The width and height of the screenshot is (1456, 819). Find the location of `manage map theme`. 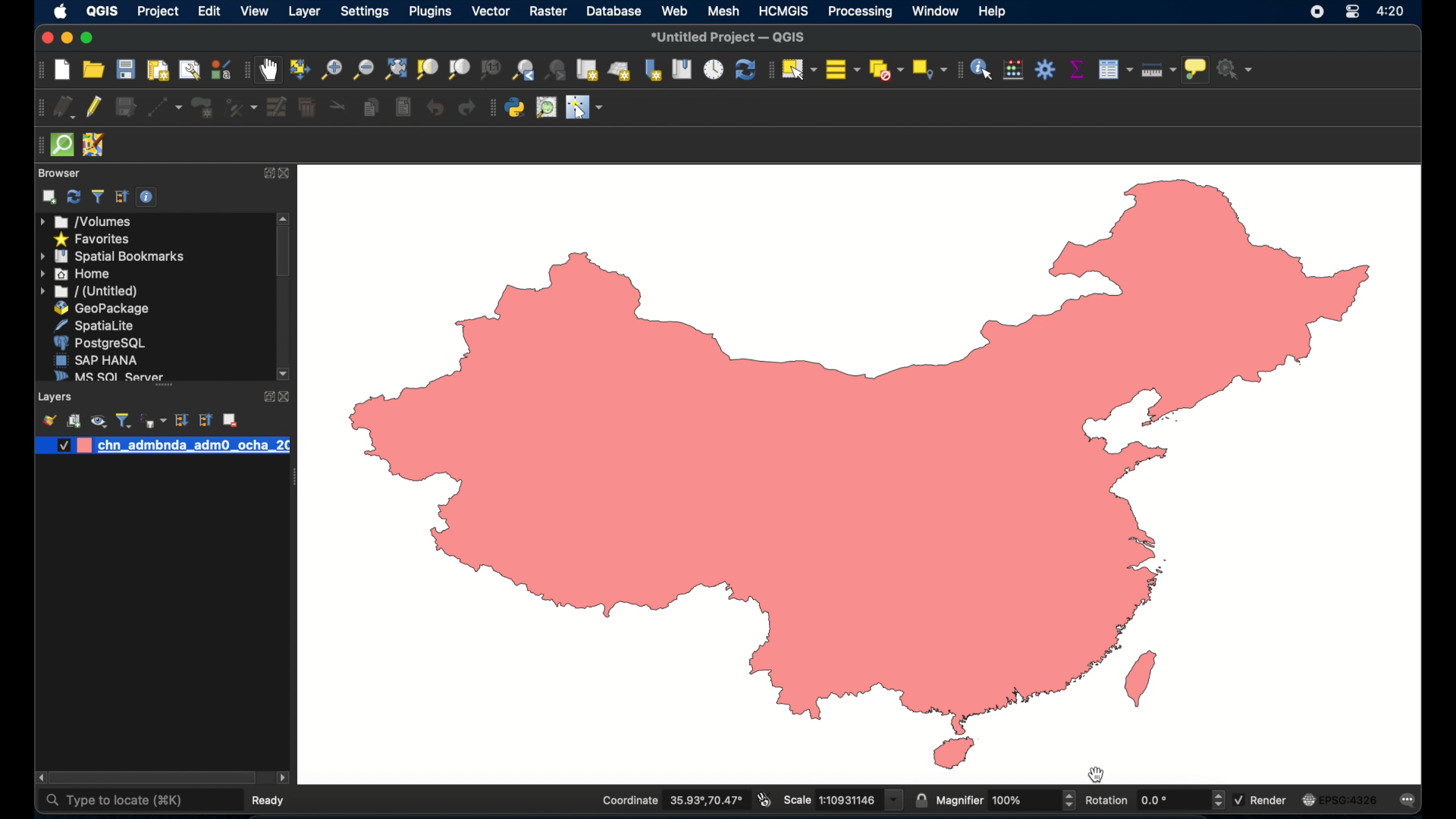

manage map theme is located at coordinates (98, 421).